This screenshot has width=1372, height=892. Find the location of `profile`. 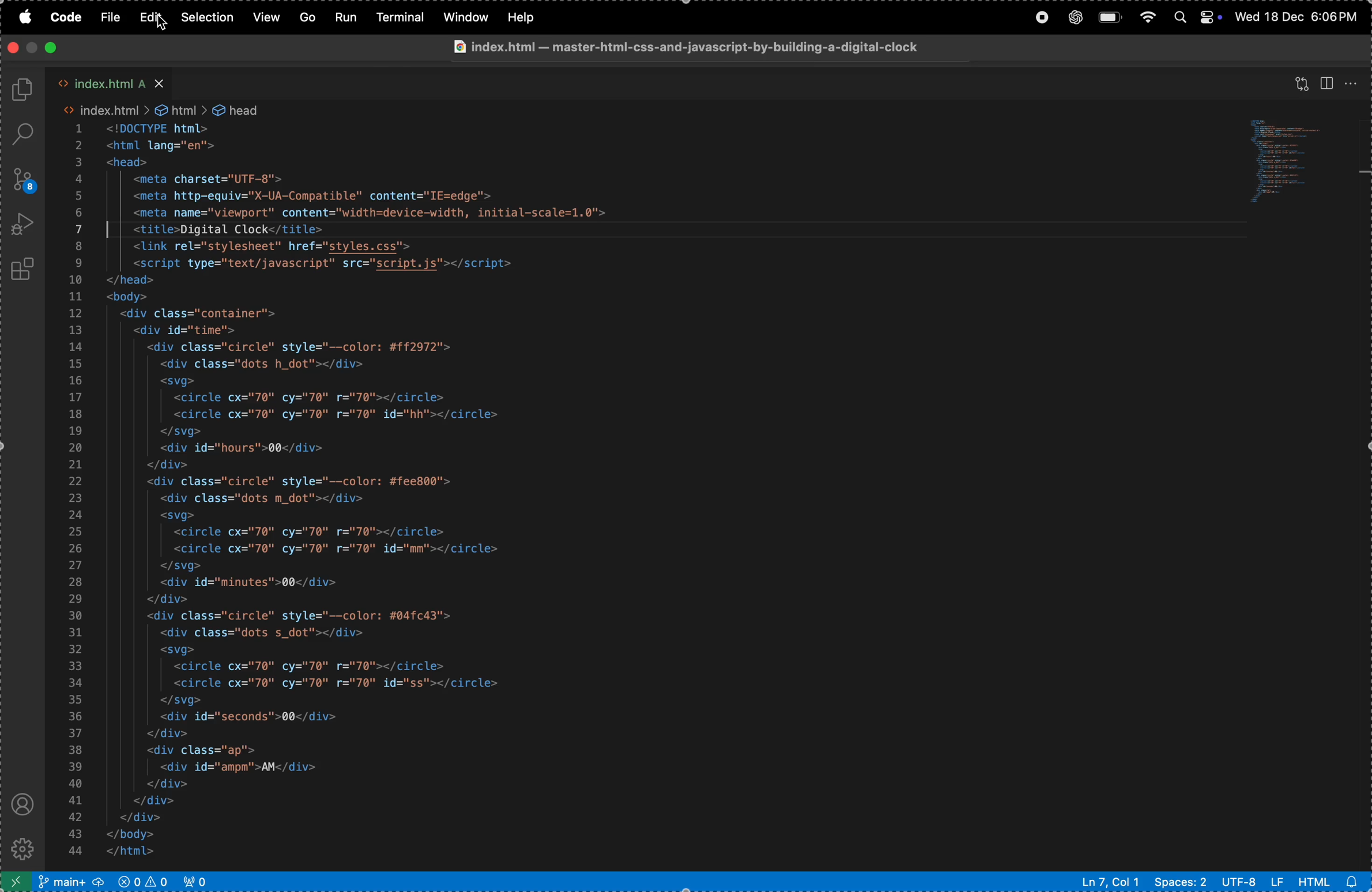

profile is located at coordinates (22, 804).